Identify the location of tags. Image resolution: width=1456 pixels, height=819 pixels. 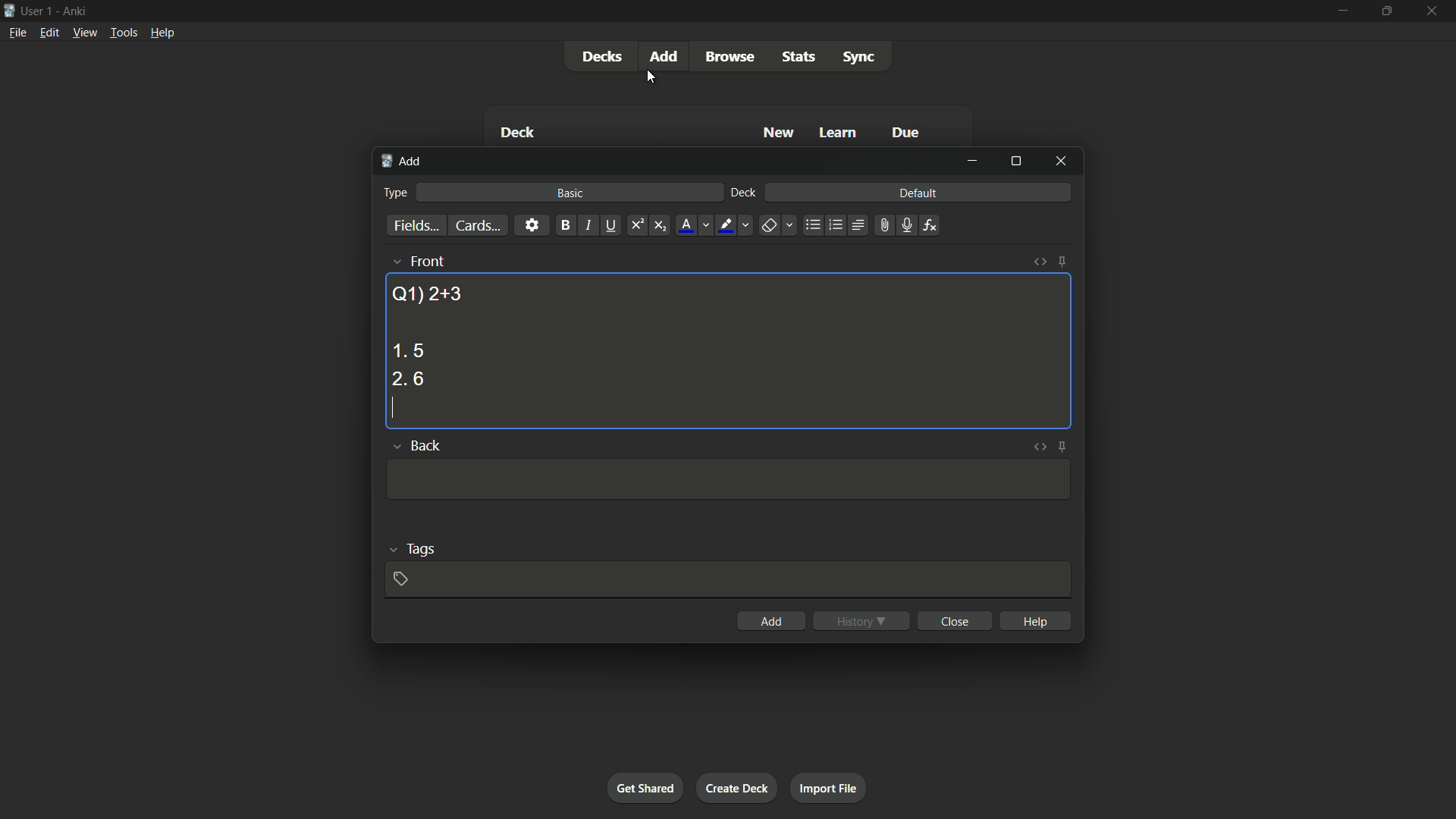
(422, 548).